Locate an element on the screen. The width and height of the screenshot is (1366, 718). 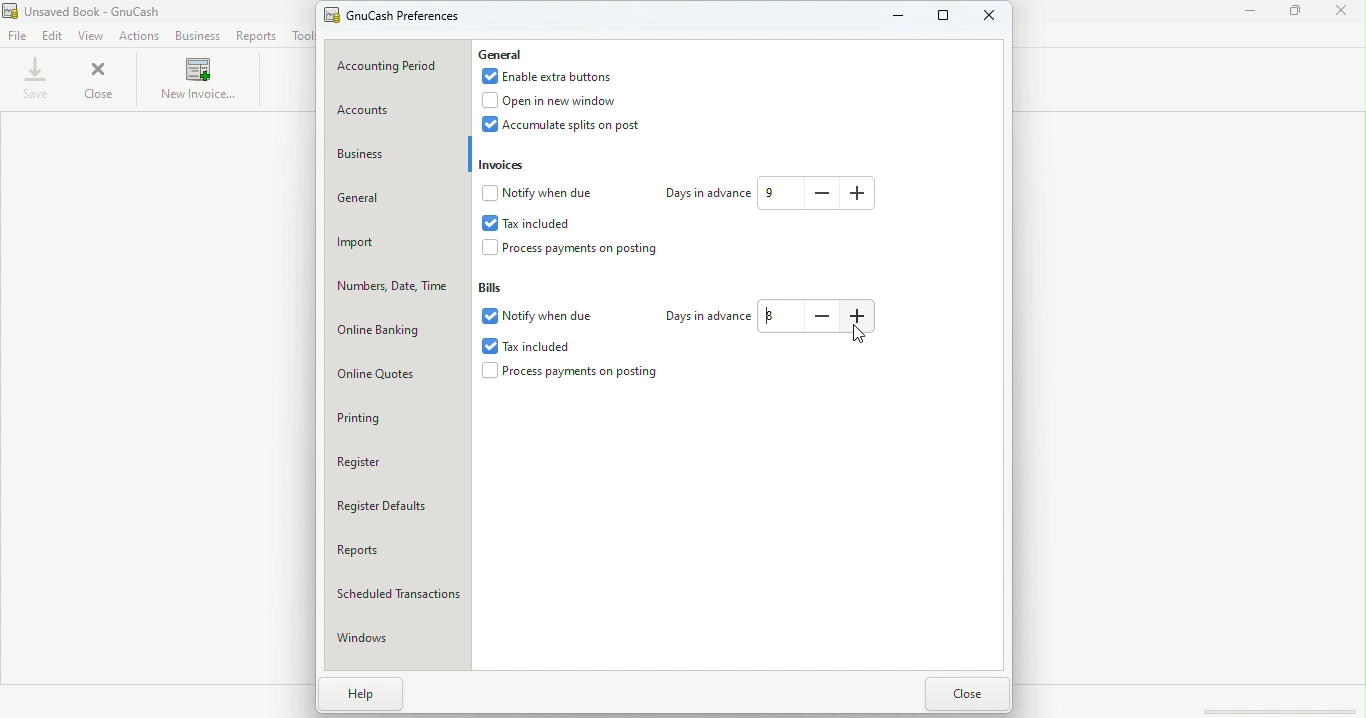
Close is located at coordinates (101, 81).